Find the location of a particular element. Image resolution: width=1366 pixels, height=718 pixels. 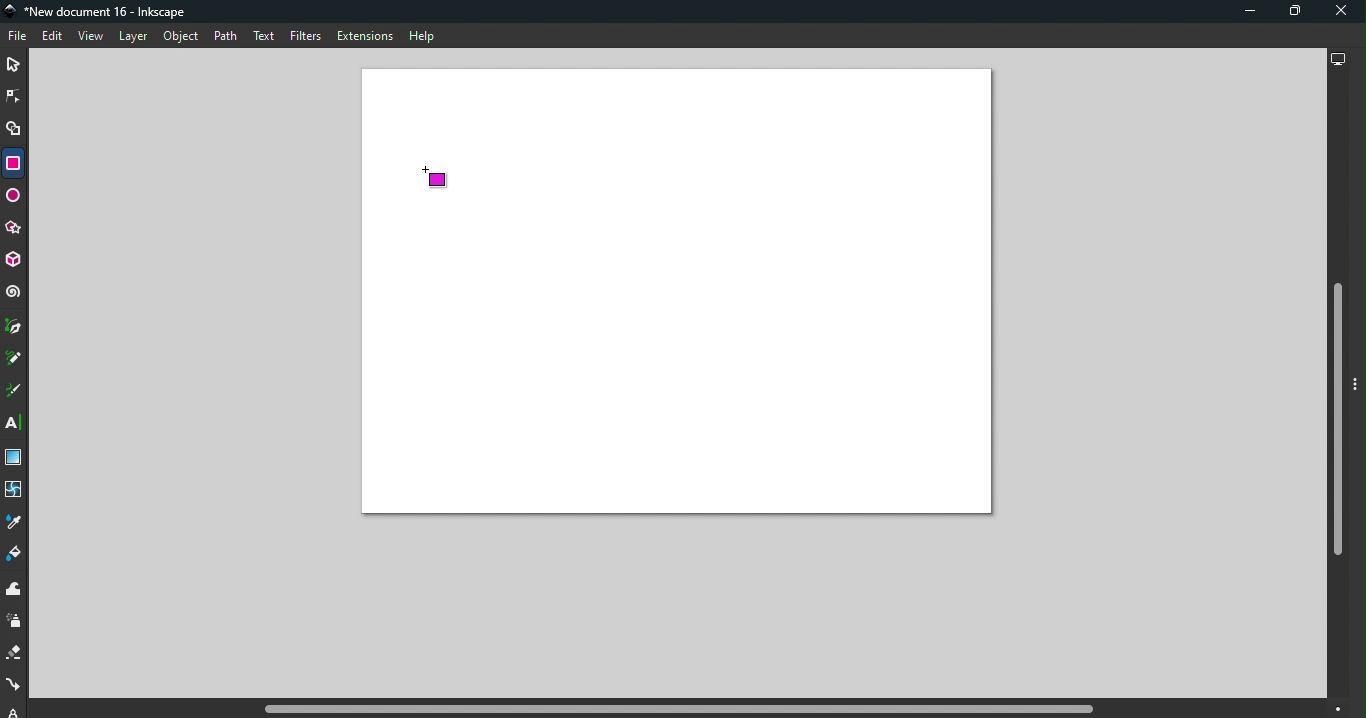

Eraser tool is located at coordinates (16, 653).